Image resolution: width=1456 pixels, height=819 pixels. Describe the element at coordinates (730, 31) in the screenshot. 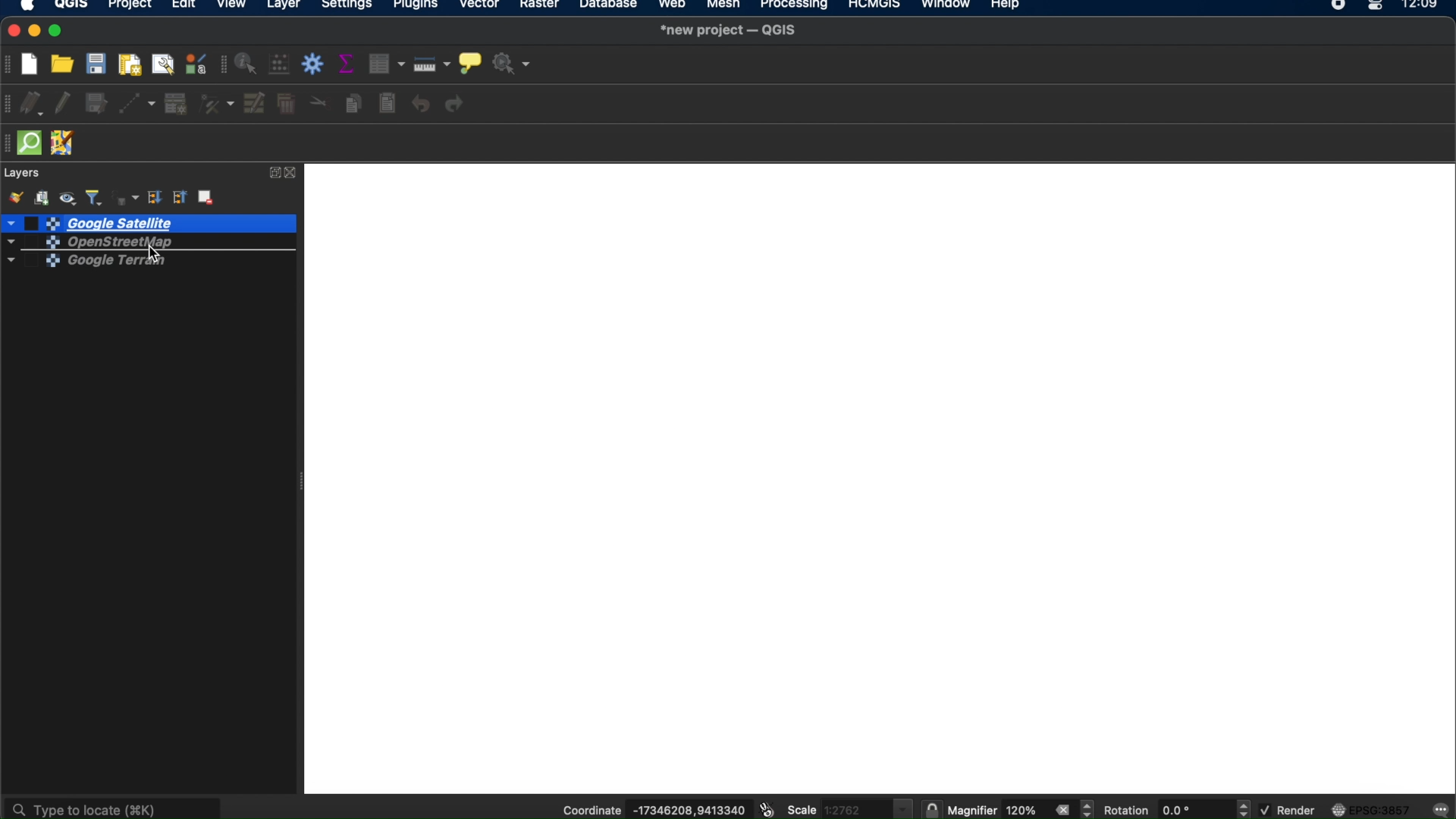

I see `*new project-QGIS` at that location.